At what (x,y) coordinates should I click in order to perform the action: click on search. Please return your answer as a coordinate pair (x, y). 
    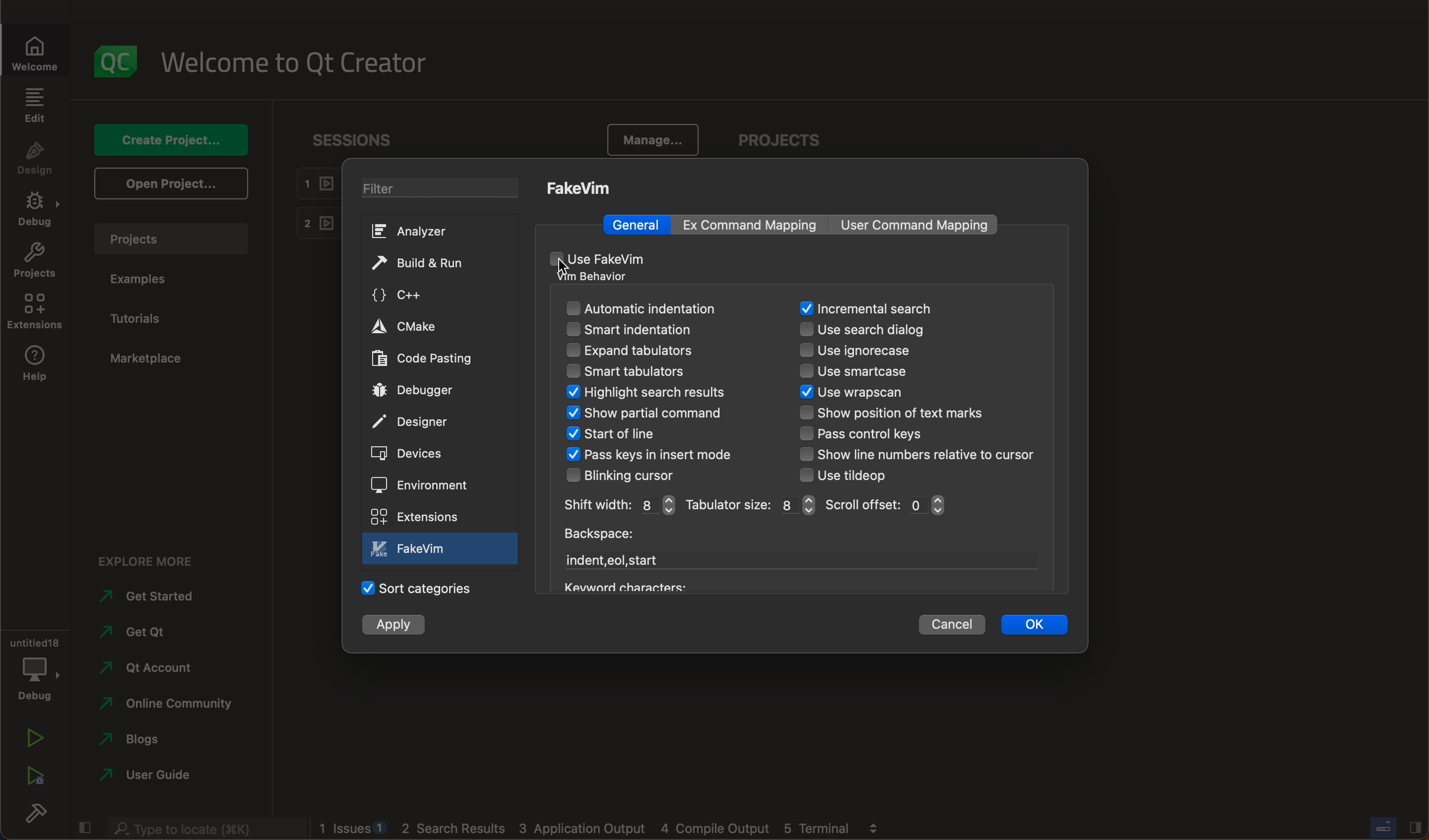
    Looking at the image, I should click on (866, 309).